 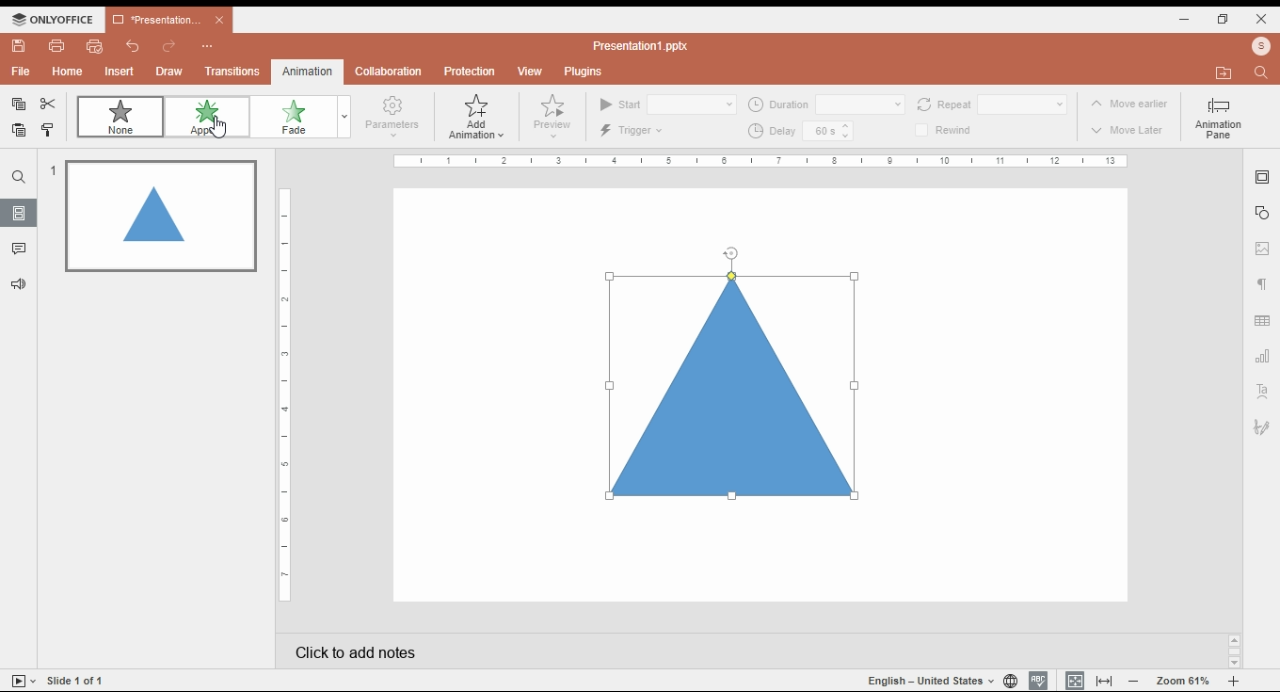 What do you see at coordinates (1215, 117) in the screenshot?
I see `animation pane` at bounding box center [1215, 117].